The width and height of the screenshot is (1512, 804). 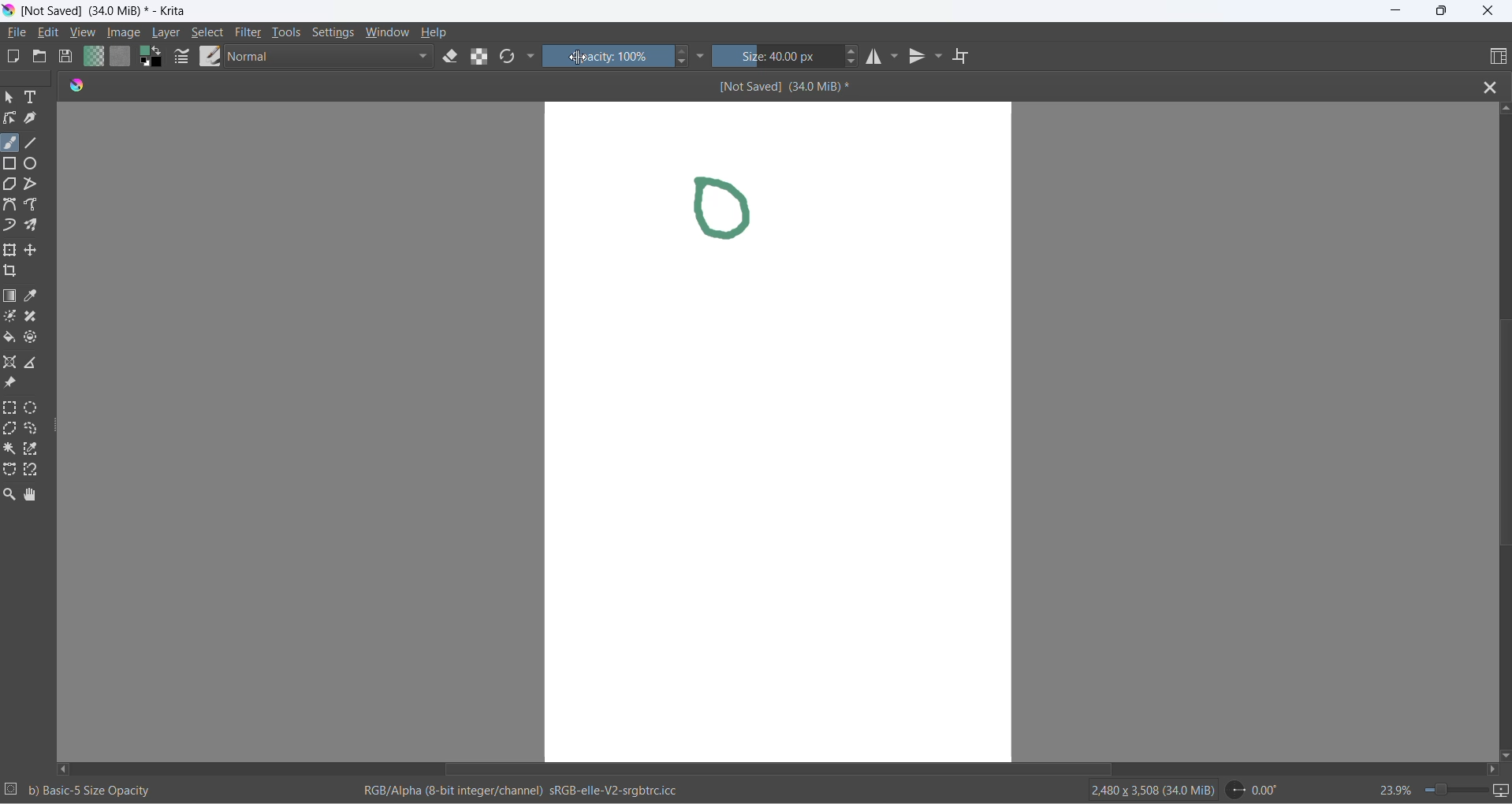 I want to click on new document, so click(x=17, y=57).